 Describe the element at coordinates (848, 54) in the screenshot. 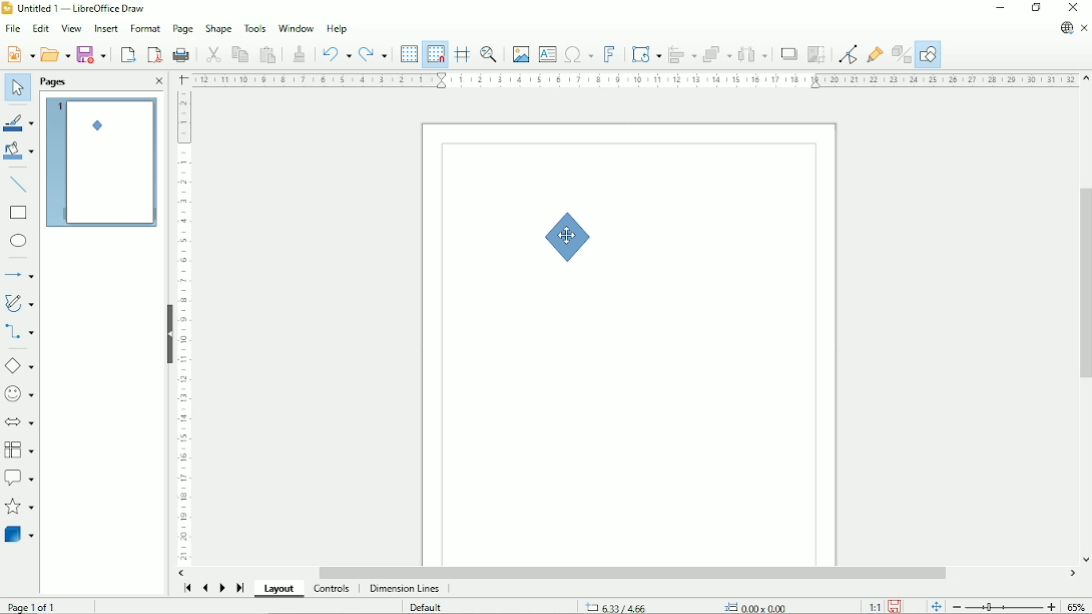

I see `Toggle point edit mode` at that location.